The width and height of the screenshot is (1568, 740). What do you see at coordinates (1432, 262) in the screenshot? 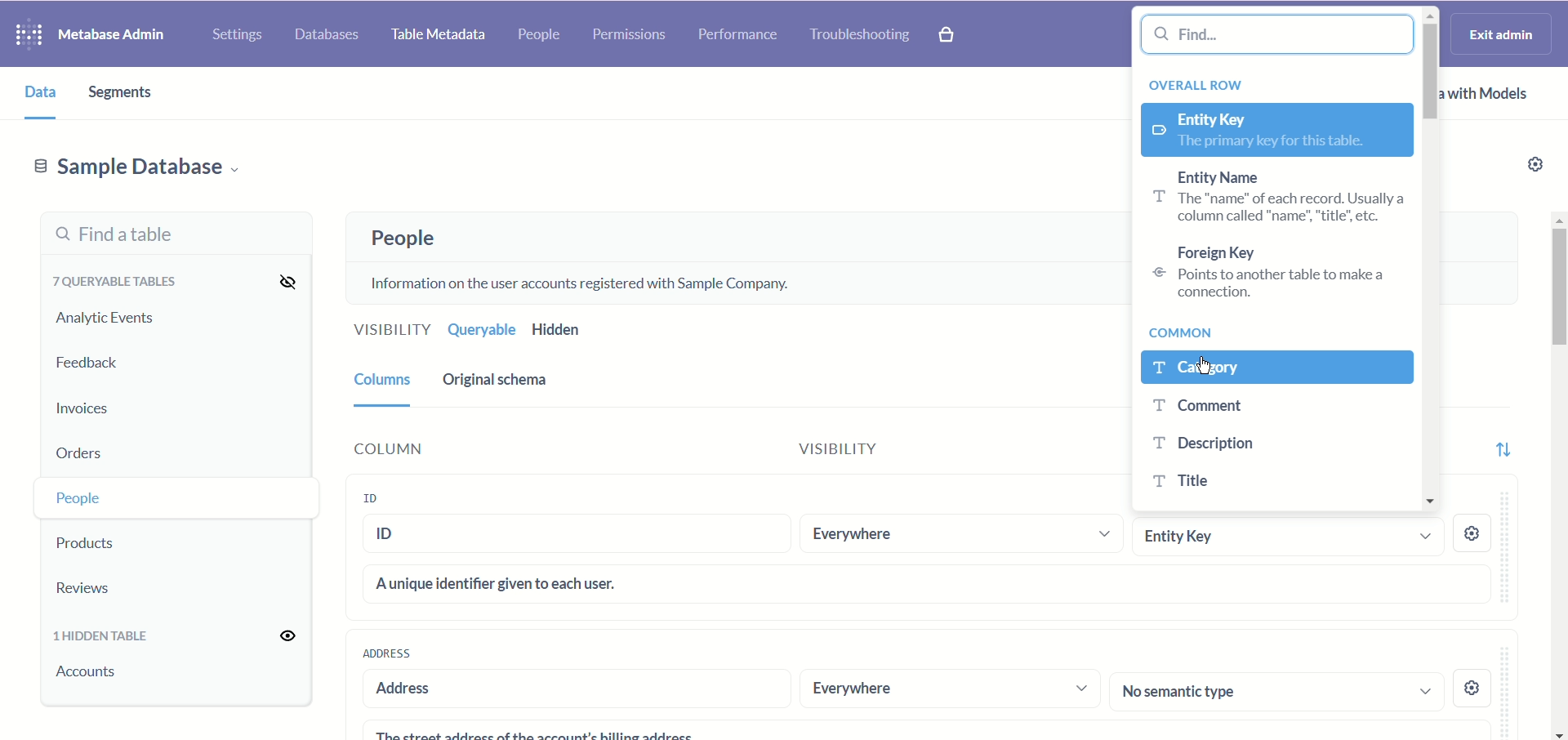
I see `vertical scroll bar` at bounding box center [1432, 262].